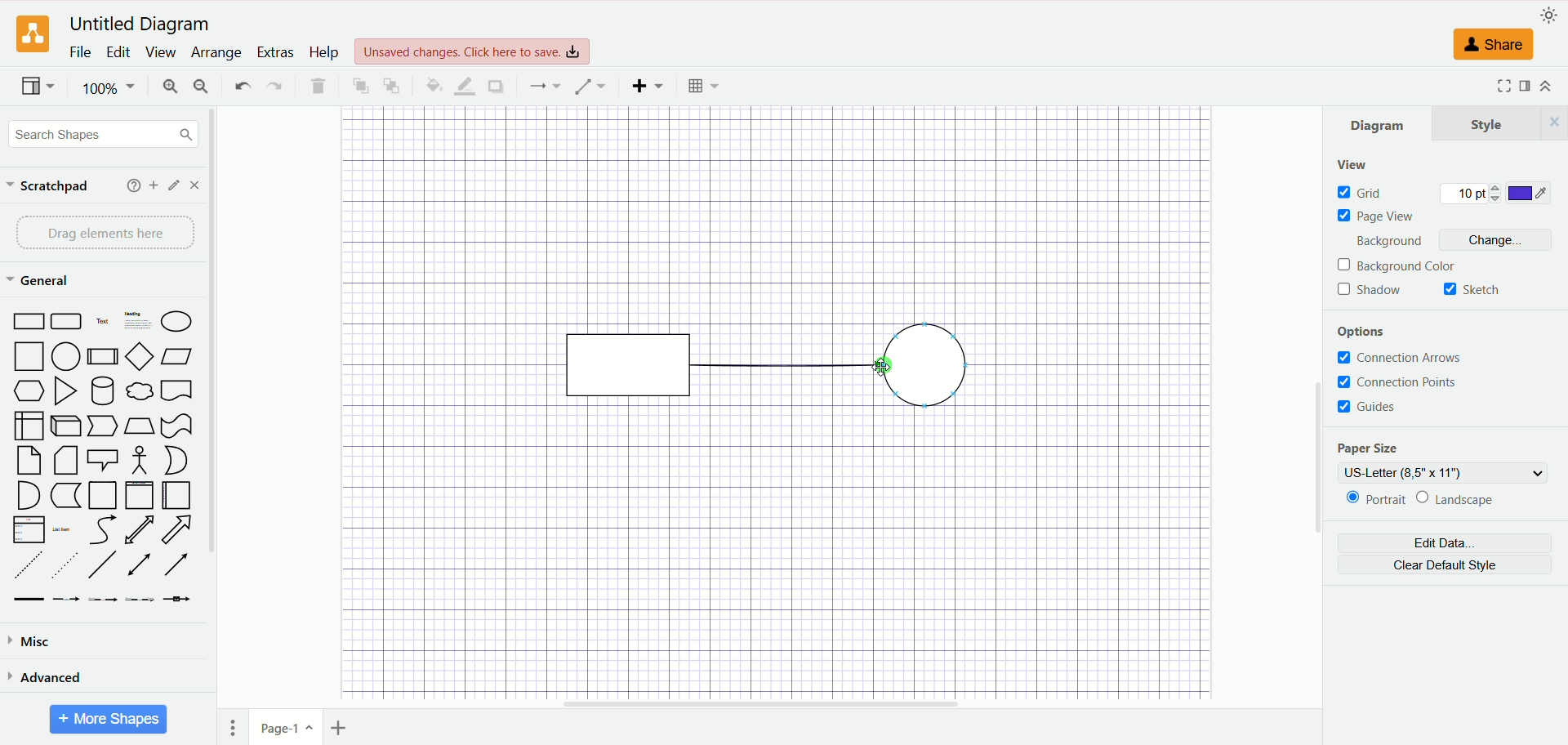 The image size is (1568, 745). I want to click on insert, so click(648, 87).